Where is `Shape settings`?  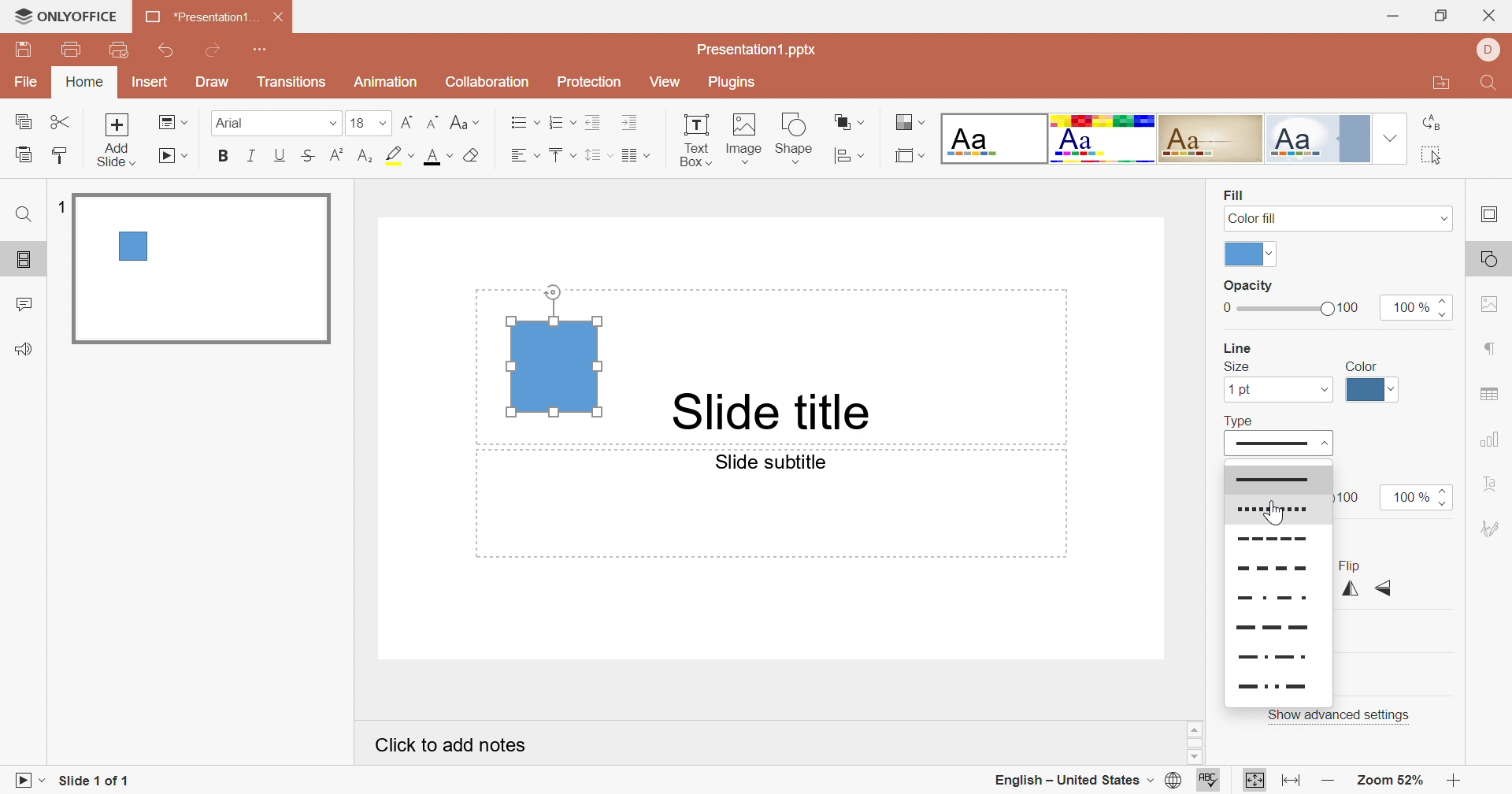 Shape settings is located at coordinates (1488, 259).